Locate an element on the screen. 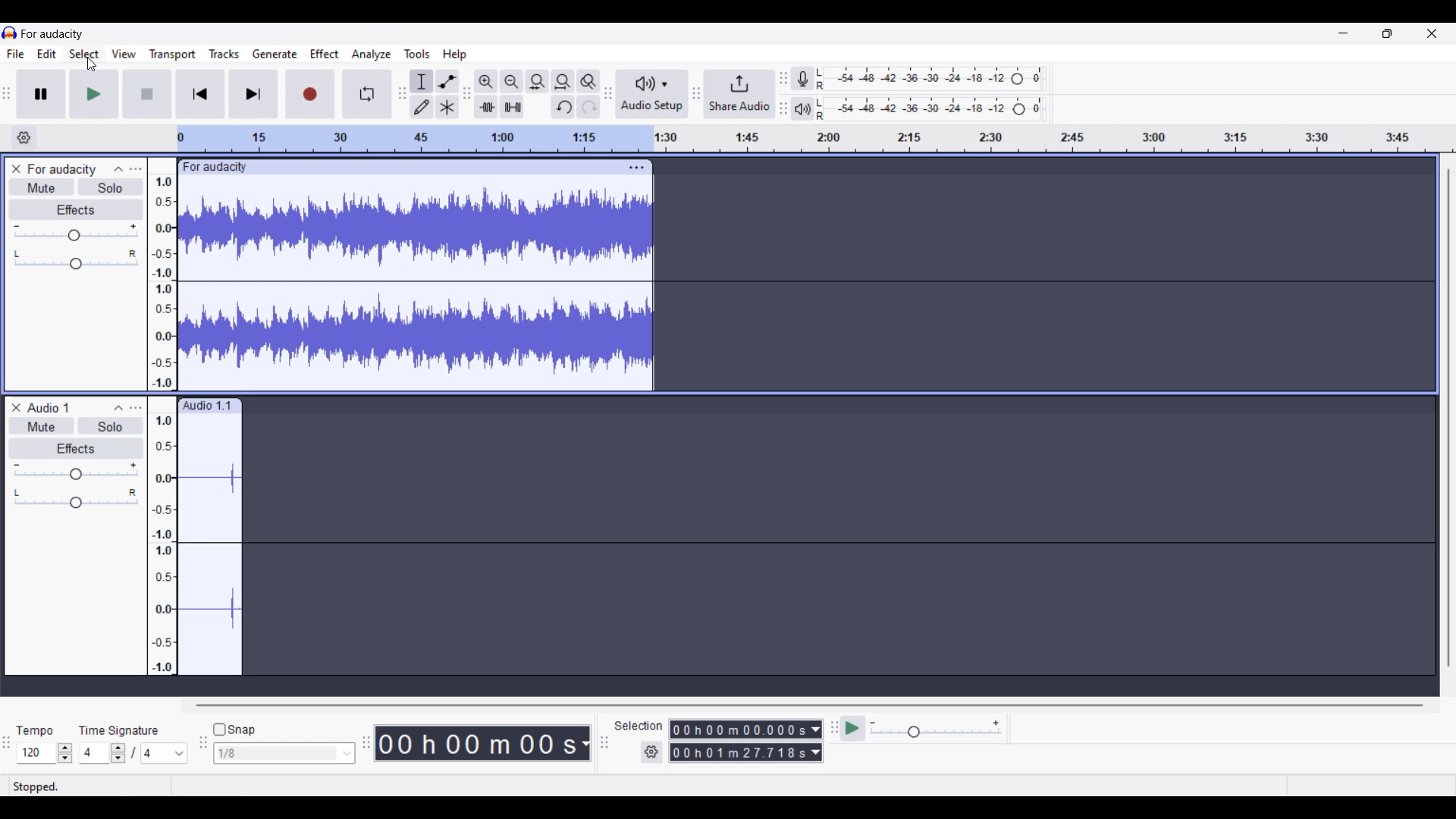  Envelop tool is located at coordinates (447, 81).